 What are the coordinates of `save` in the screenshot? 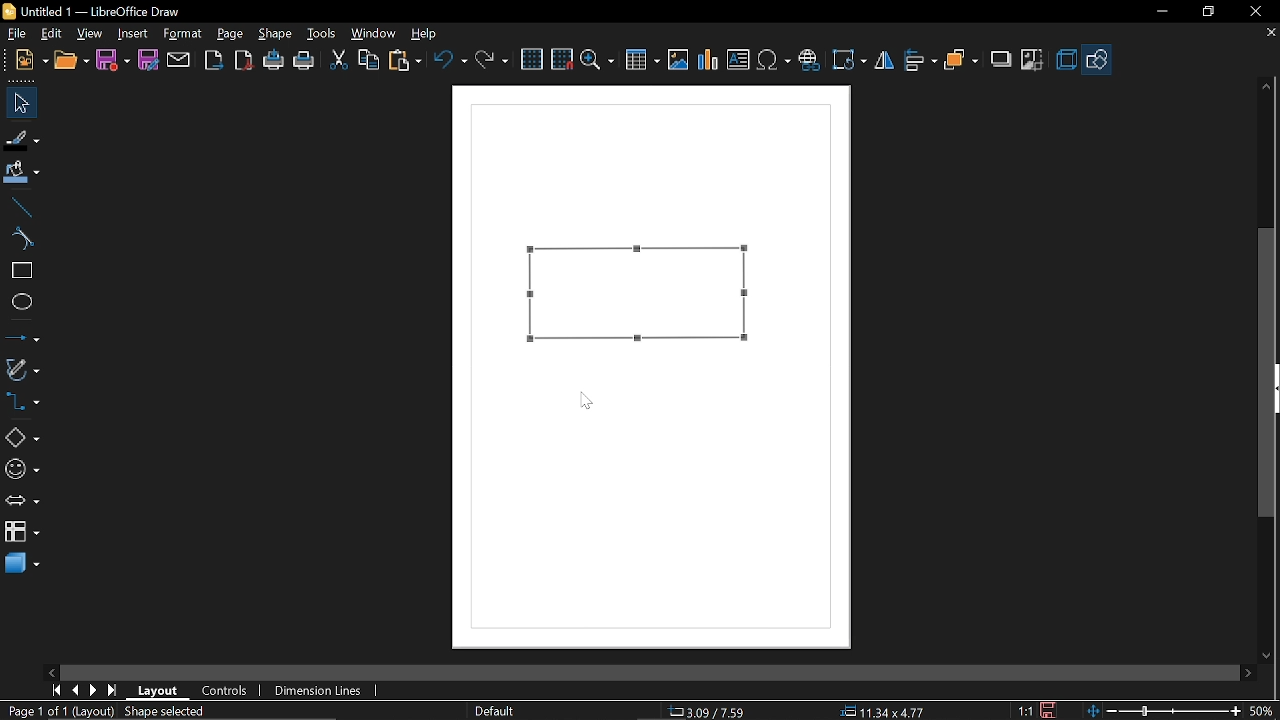 It's located at (1054, 710).